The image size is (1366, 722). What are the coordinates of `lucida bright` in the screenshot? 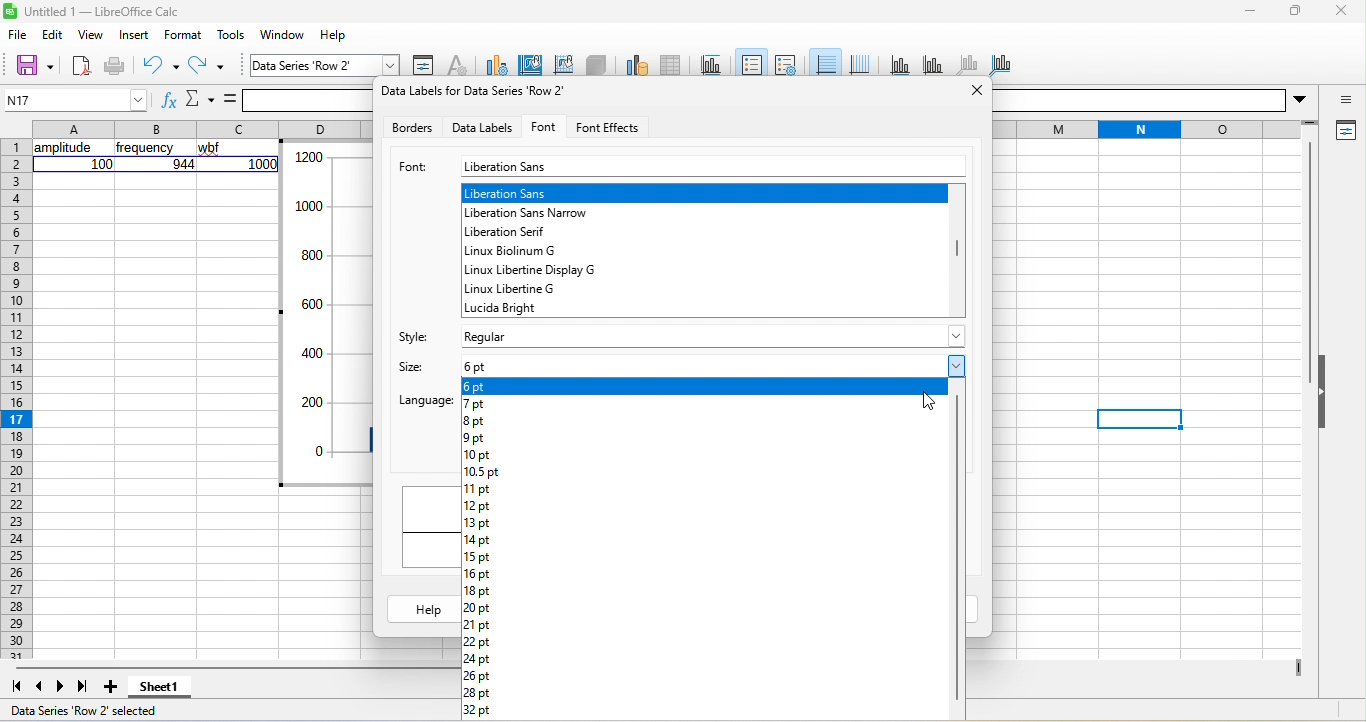 It's located at (521, 307).